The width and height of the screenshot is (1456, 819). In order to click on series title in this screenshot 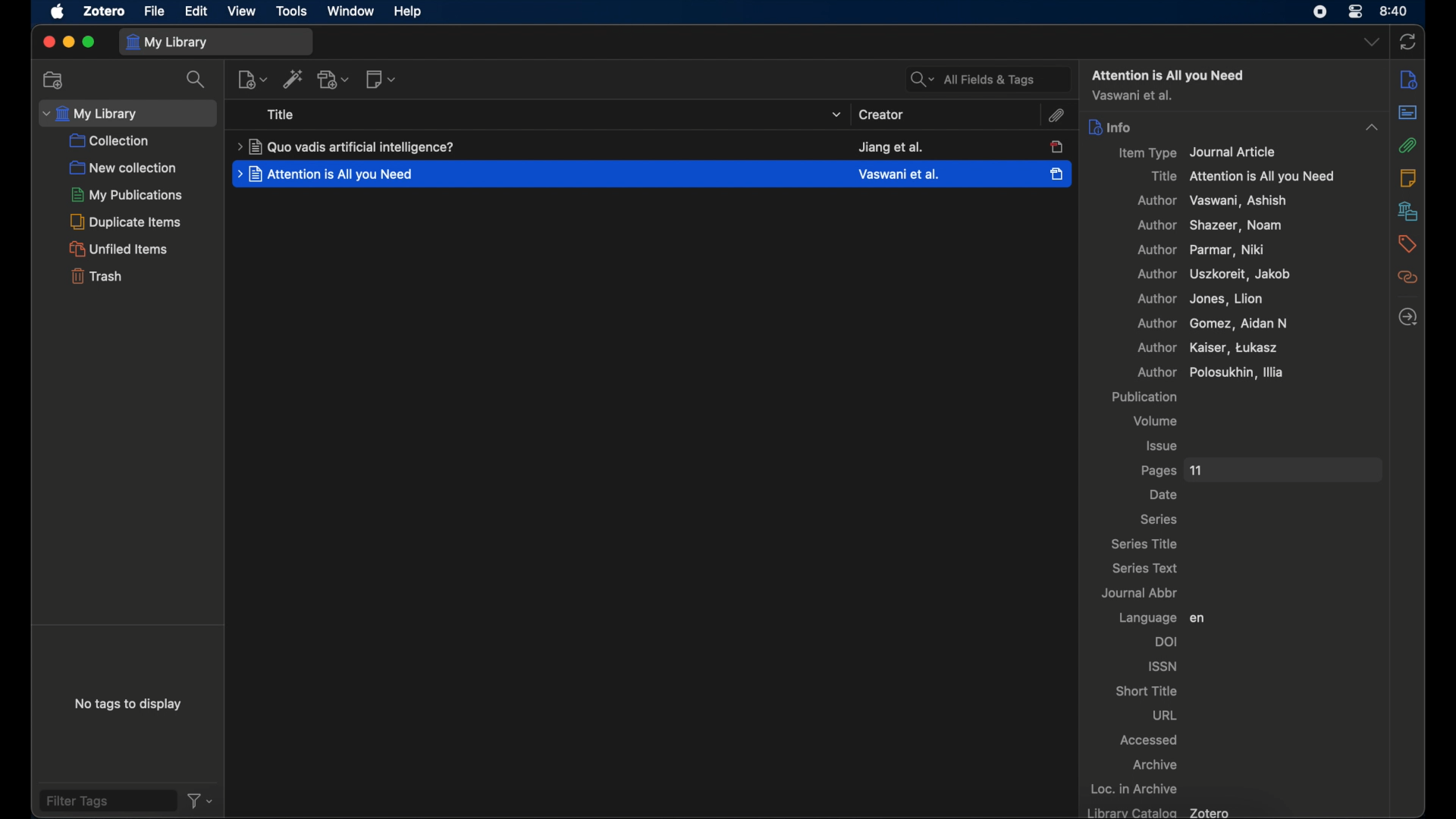, I will do `click(1144, 543)`.